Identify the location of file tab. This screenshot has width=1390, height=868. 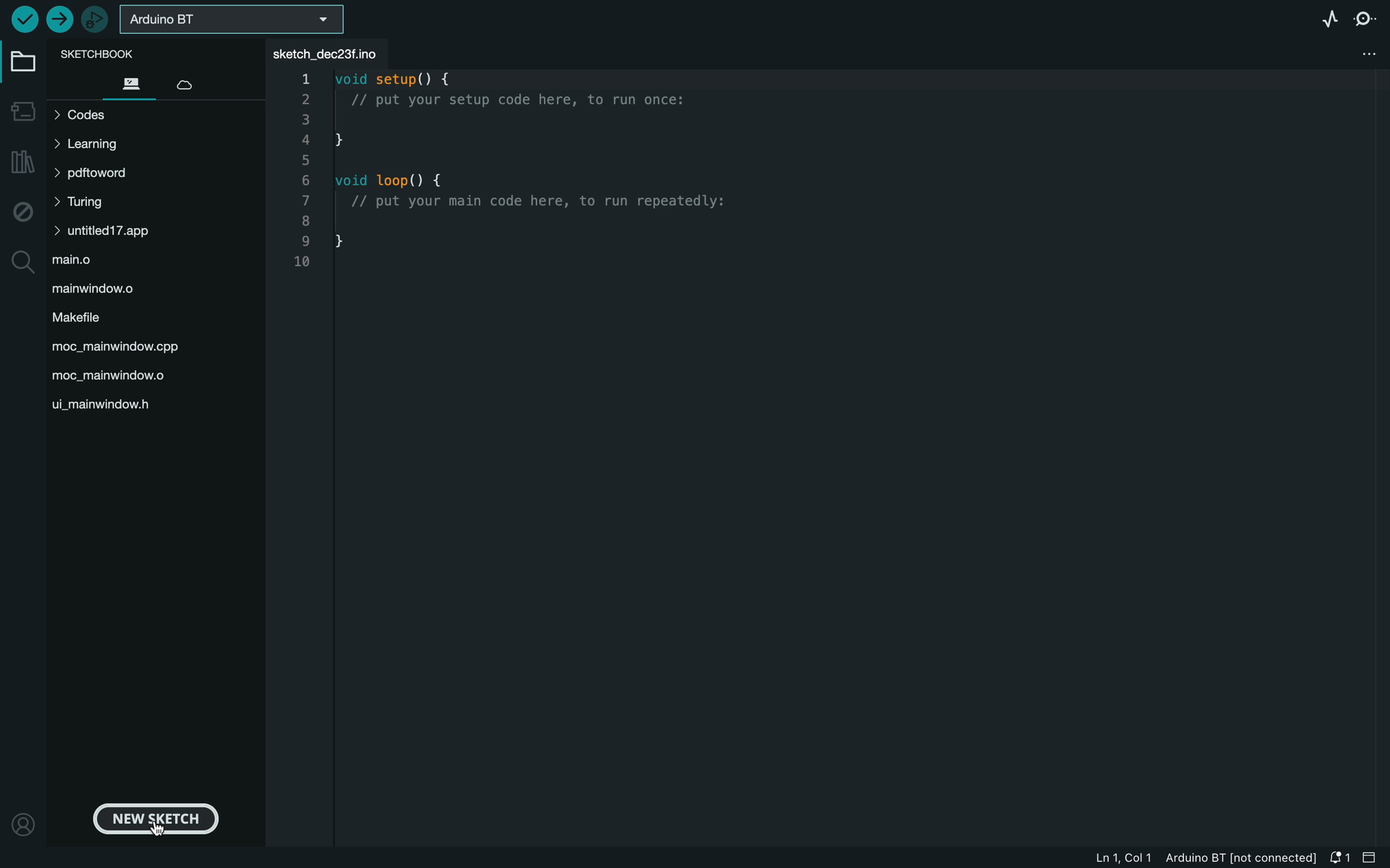
(335, 54).